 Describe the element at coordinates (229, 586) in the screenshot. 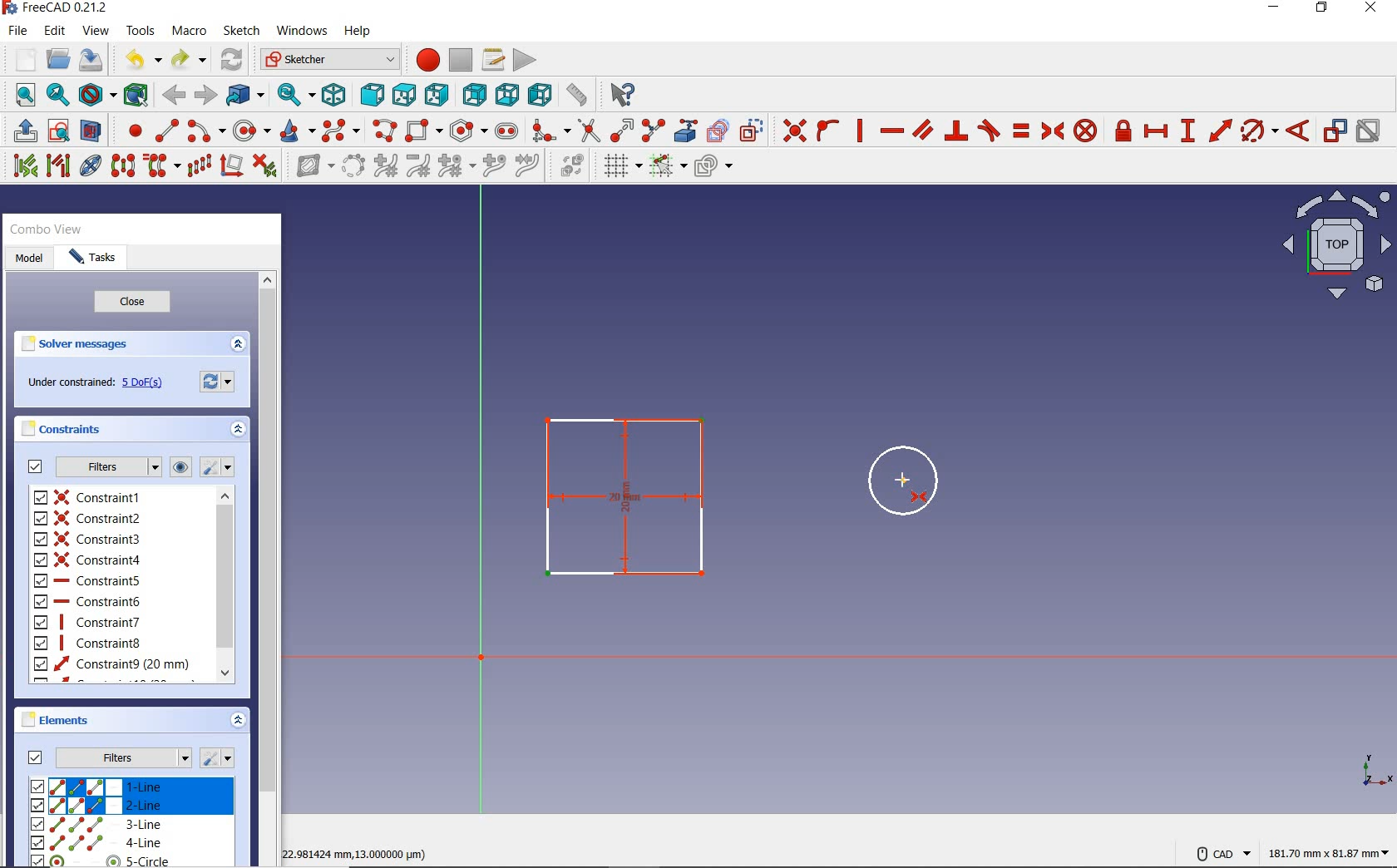

I see `scrollbar` at that location.